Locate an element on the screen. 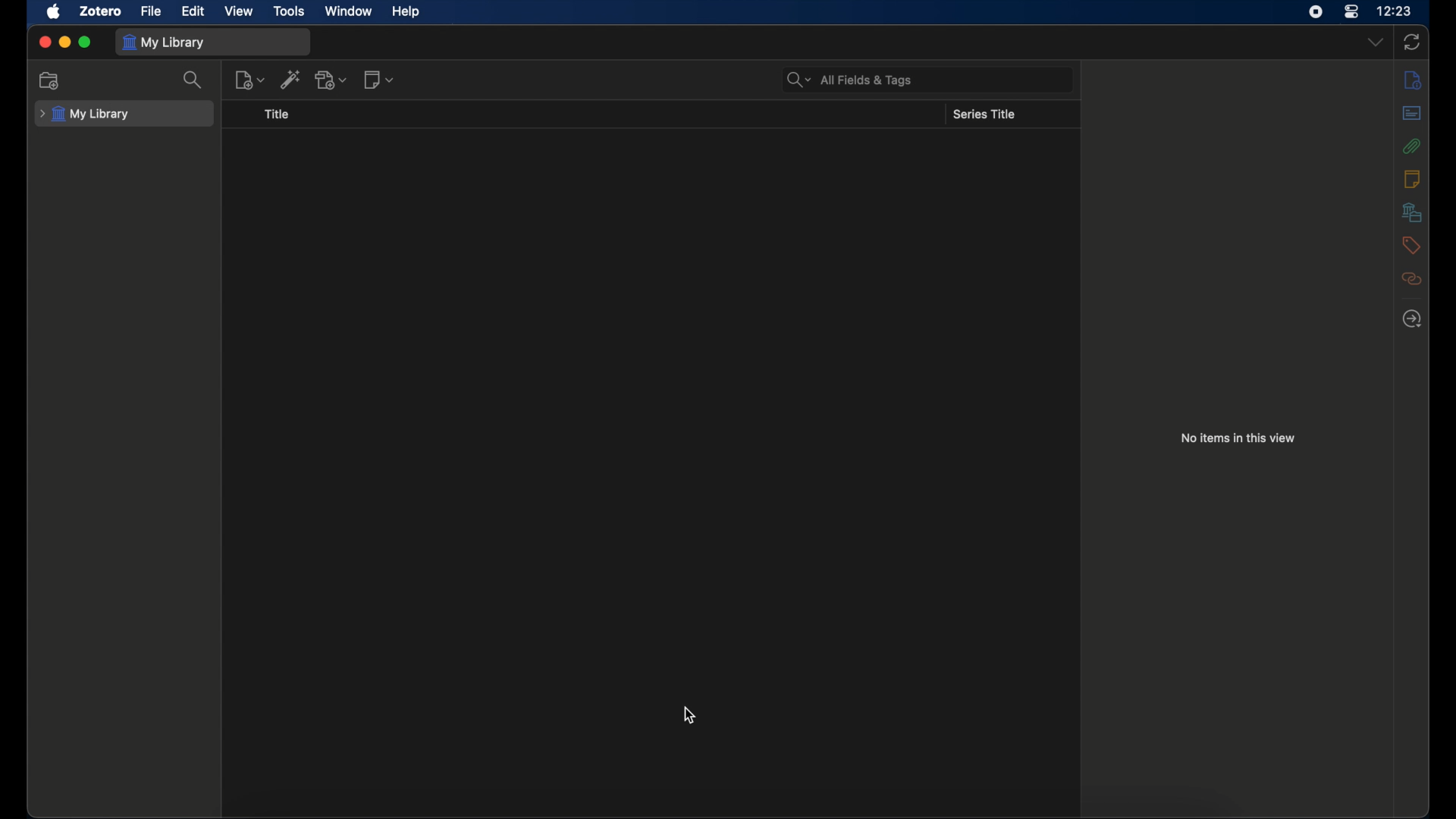 This screenshot has height=819, width=1456. window is located at coordinates (350, 11).